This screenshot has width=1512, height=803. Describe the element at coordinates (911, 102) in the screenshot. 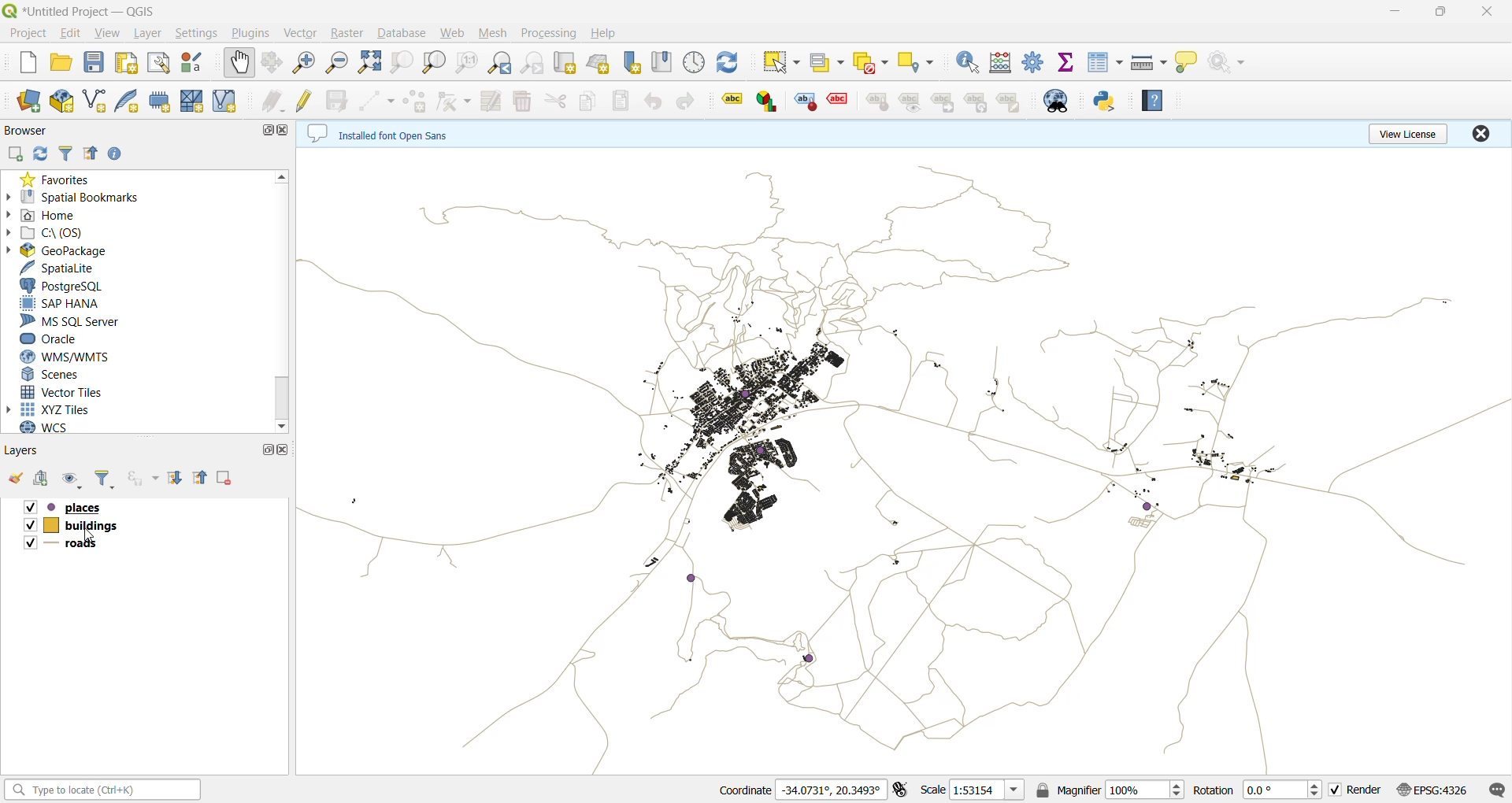

I see `preview` at that location.